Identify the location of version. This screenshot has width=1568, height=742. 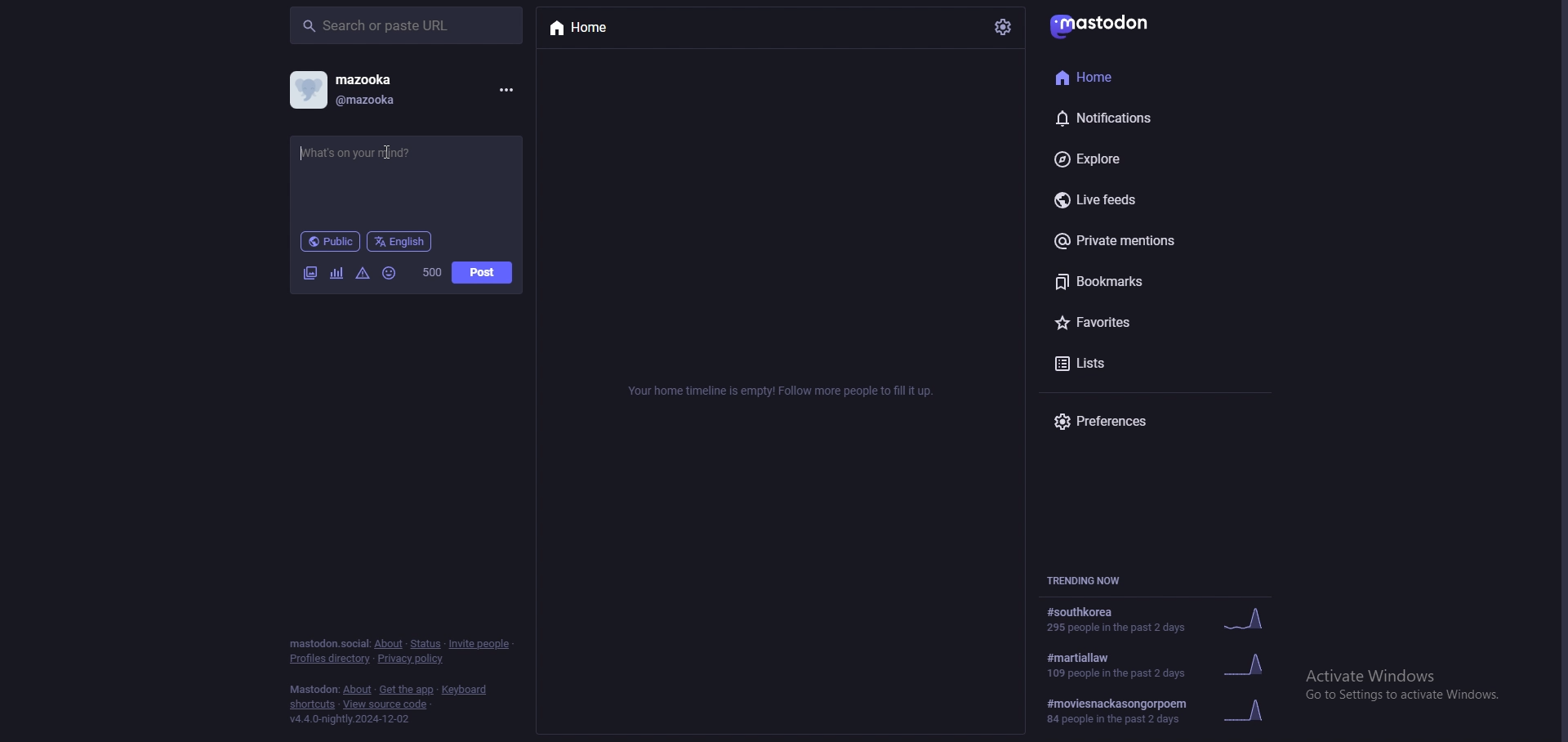
(353, 718).